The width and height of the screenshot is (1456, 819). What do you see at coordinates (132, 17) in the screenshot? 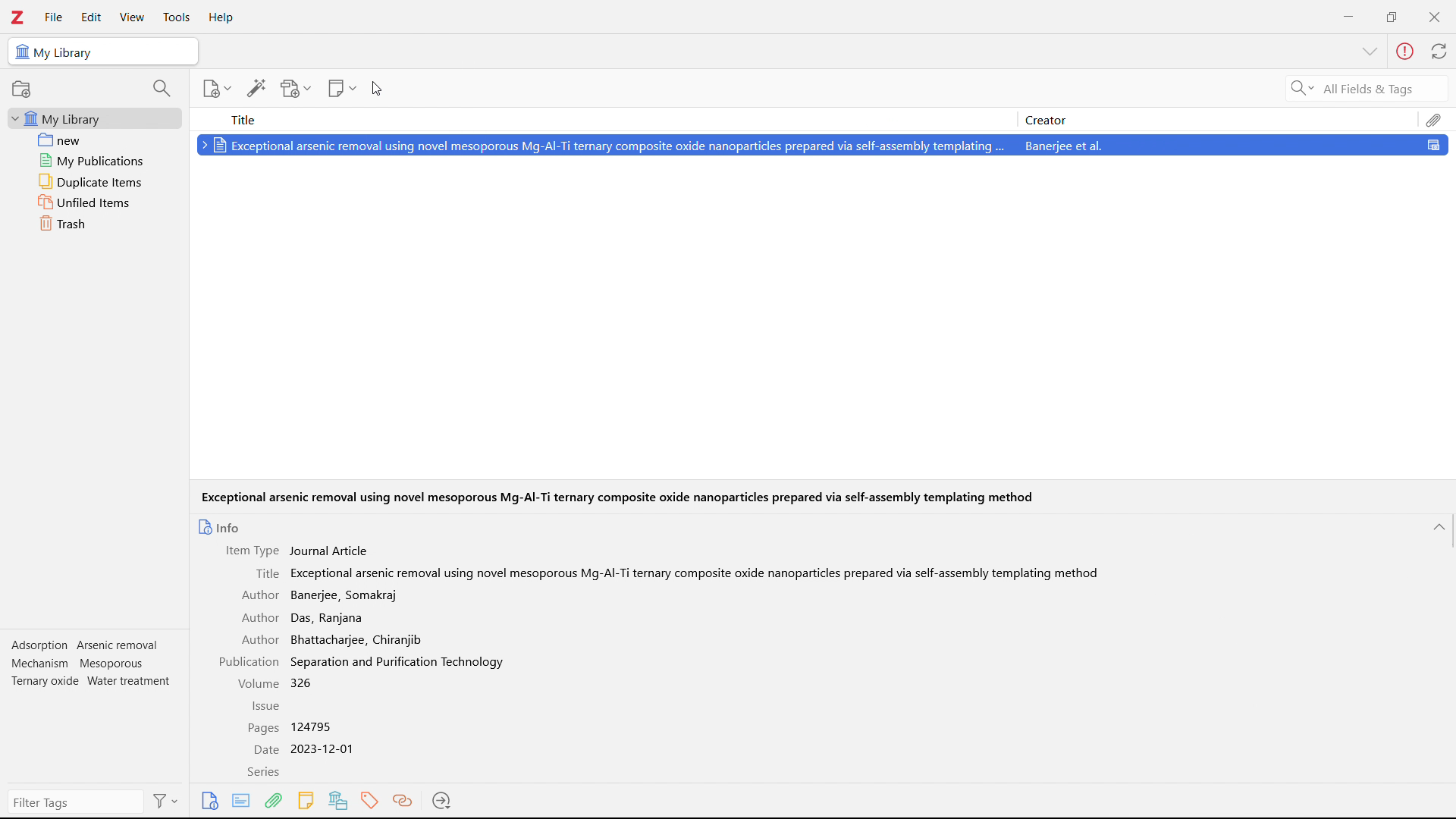
I see `view` at bounding box center [132, 17].